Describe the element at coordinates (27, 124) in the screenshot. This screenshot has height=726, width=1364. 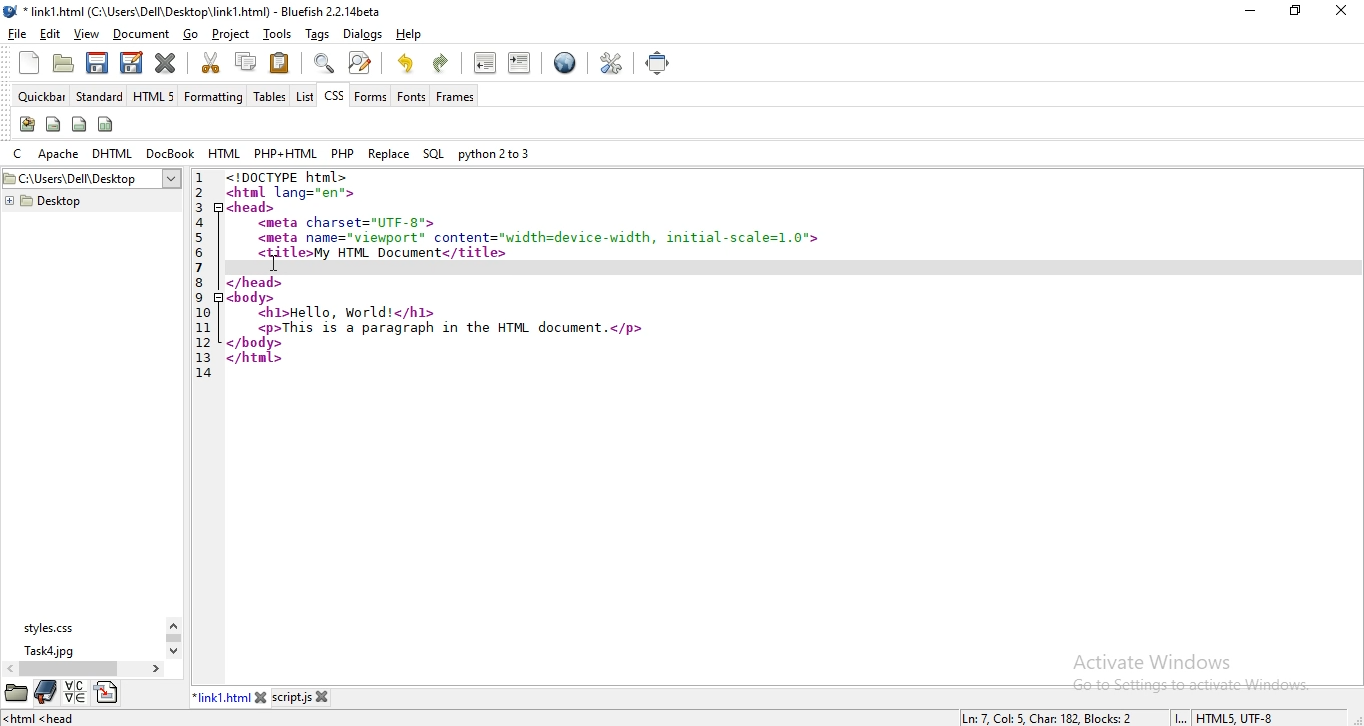
I see `create stylesheet` at that location.